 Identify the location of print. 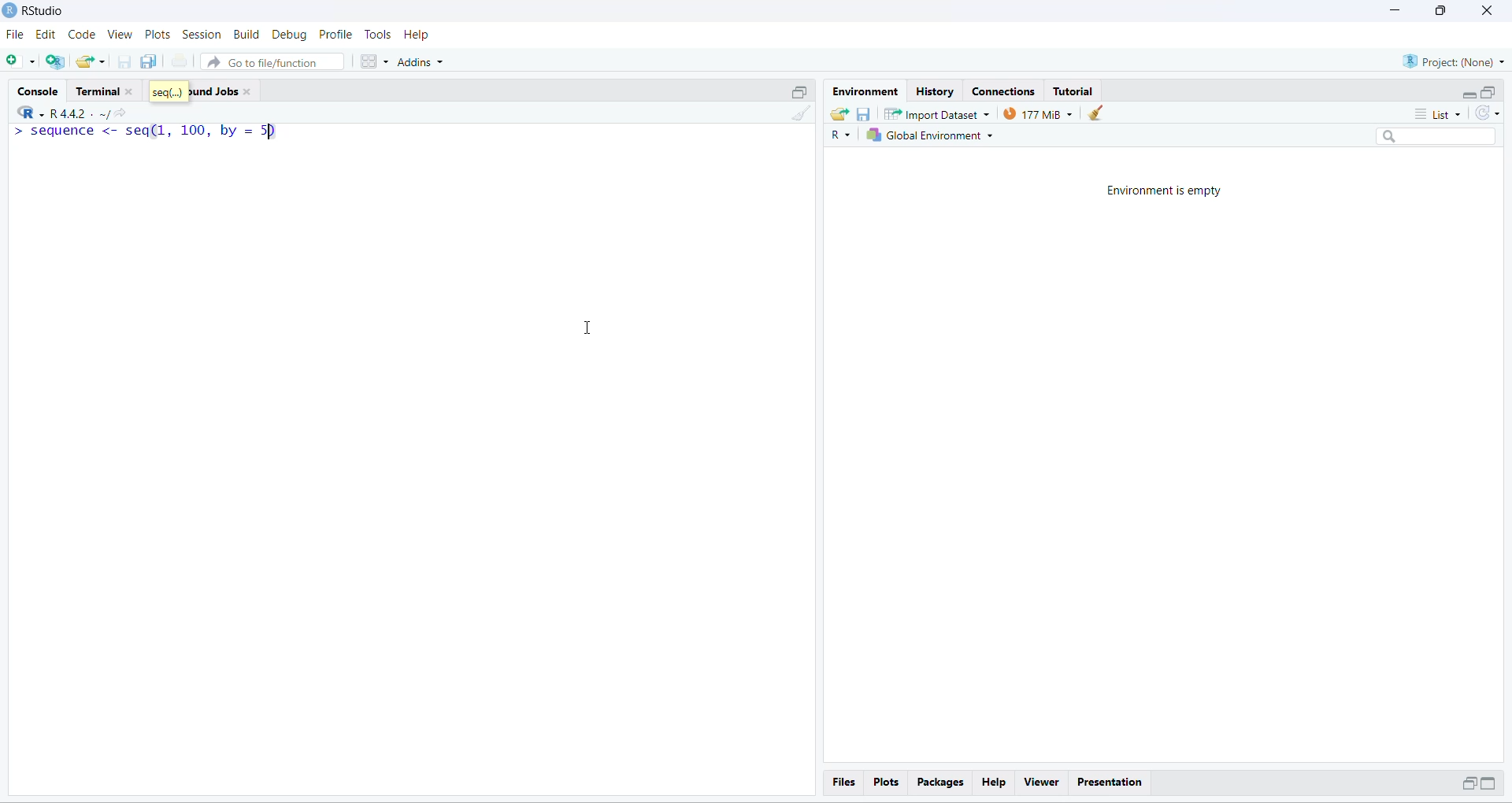
(180, 60).